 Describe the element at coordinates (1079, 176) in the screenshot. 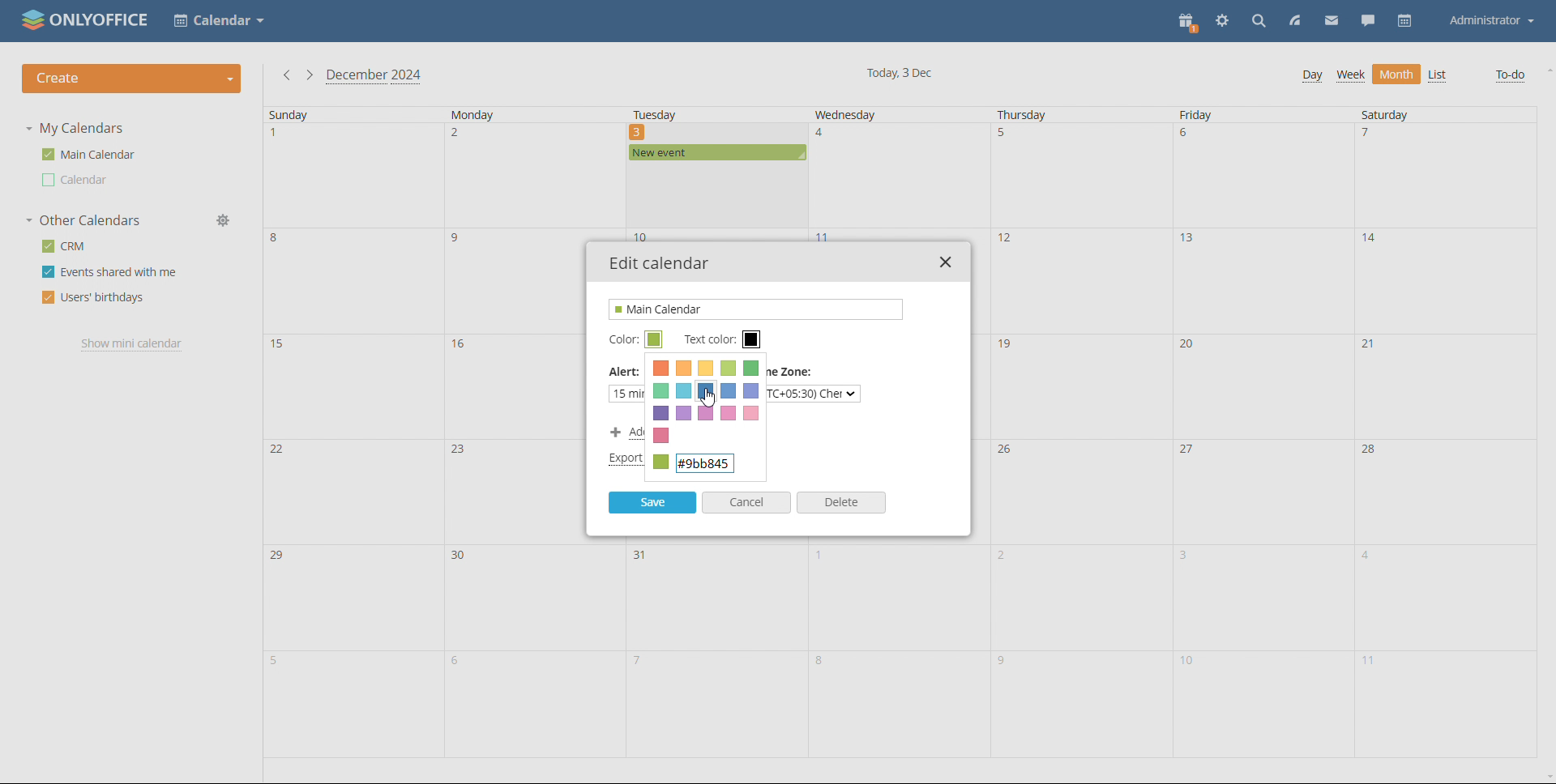

I see `date` at that location.